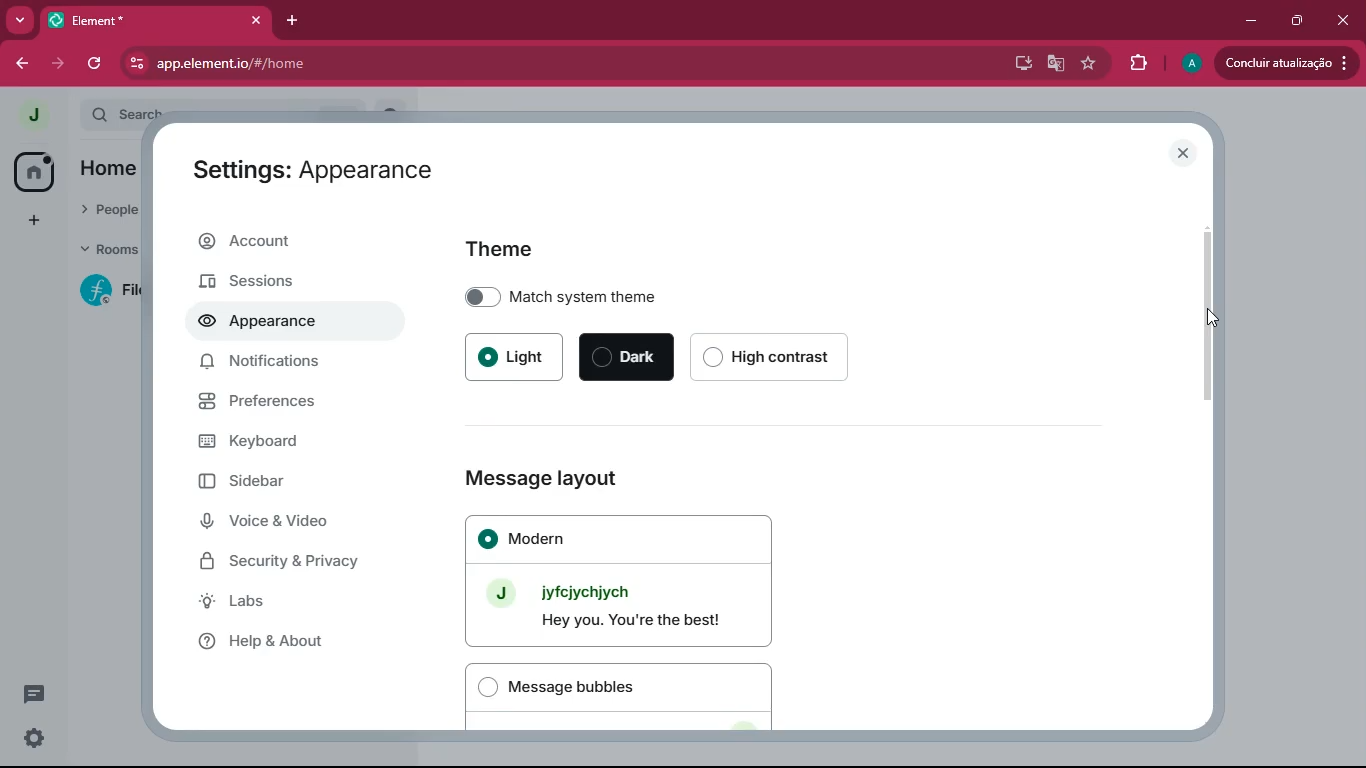 This screenshot has height=768, width=1366. Describe the element at coordinates (22, 21) in the screenshot. I see `more` at that location.